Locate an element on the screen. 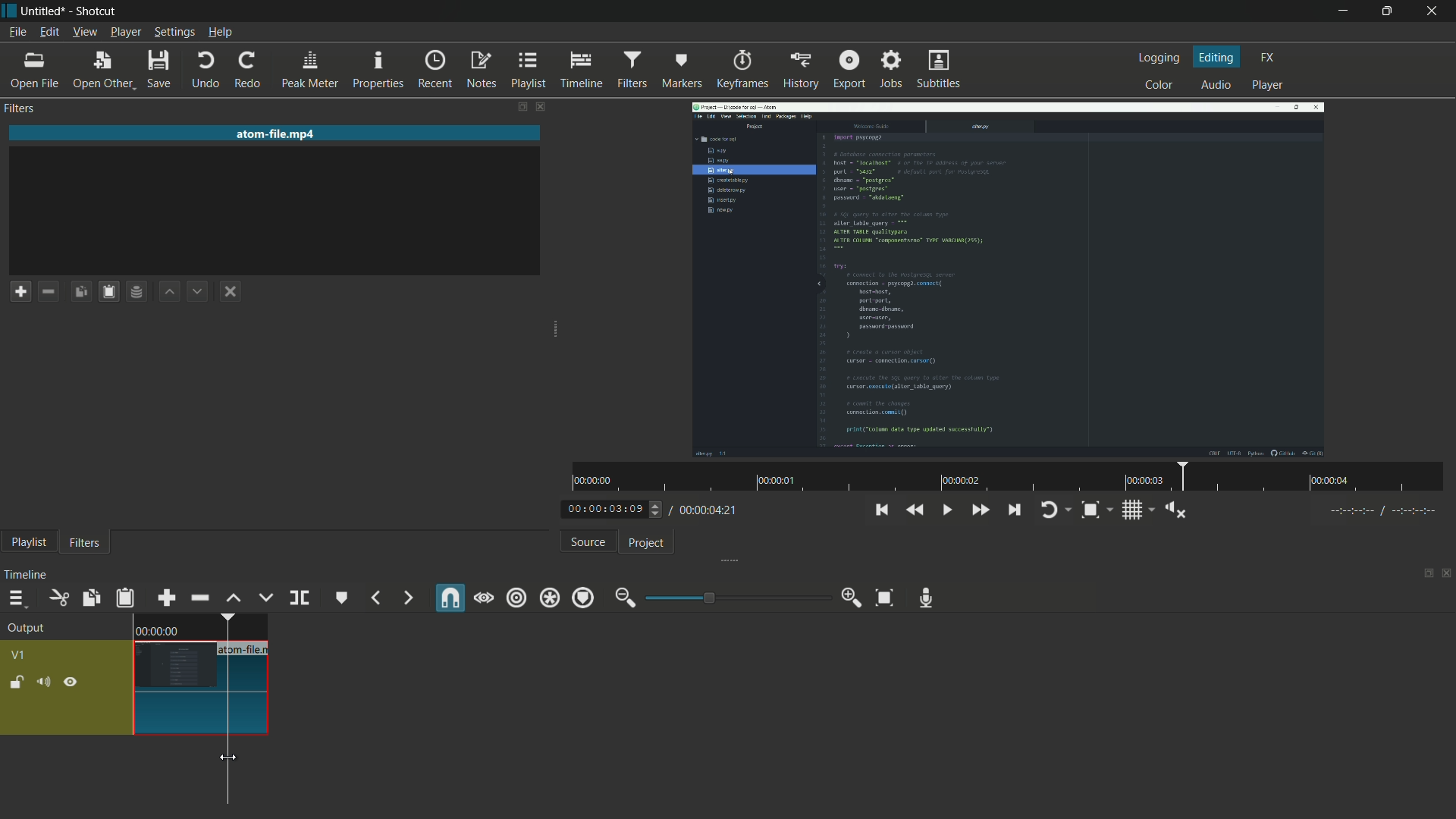 The width and height of the screenshot is (1456, 819). notes is located at coordinates (483, 70).